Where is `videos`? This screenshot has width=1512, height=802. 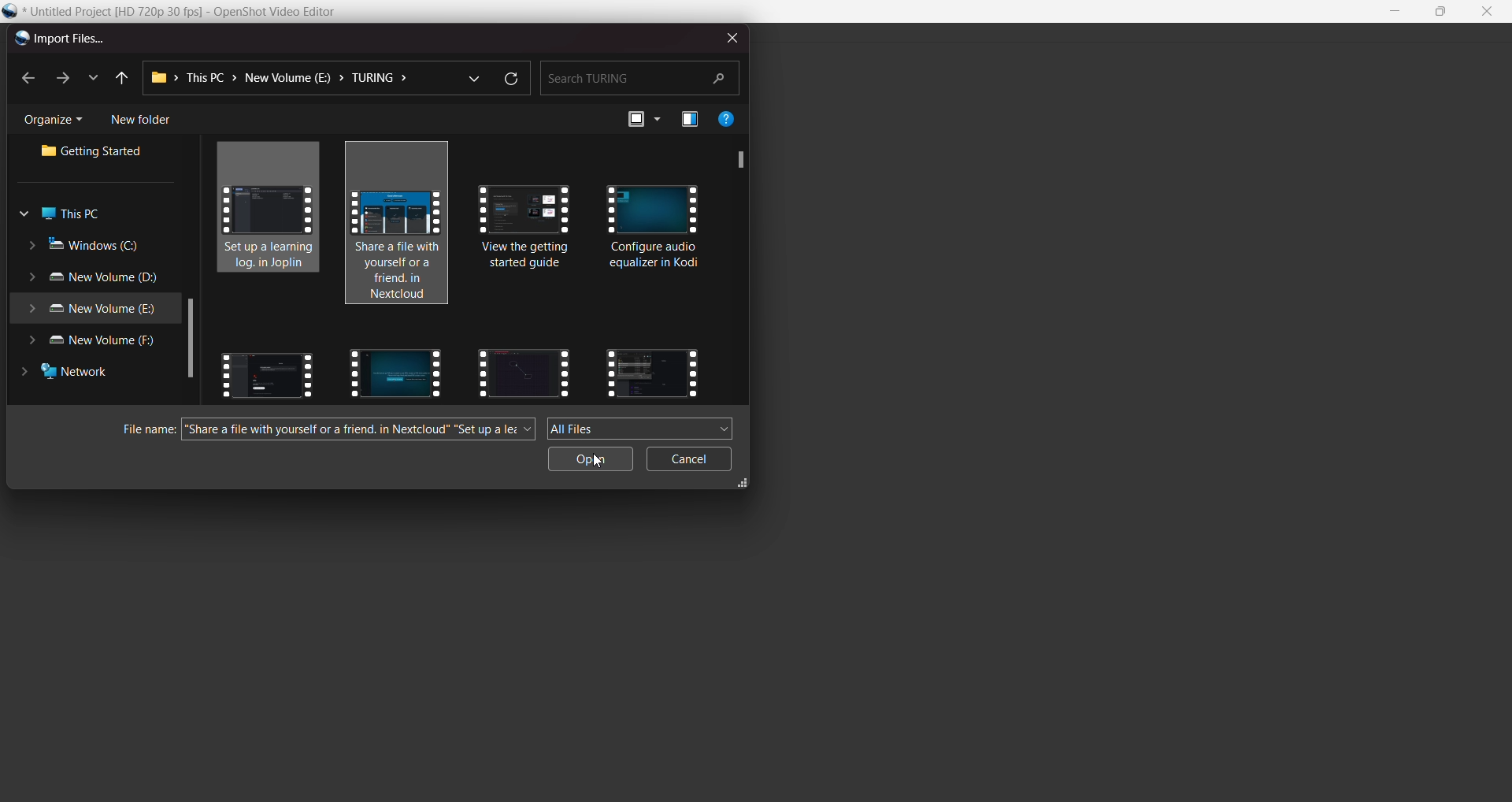 videos is located at coordinates (652, 371).